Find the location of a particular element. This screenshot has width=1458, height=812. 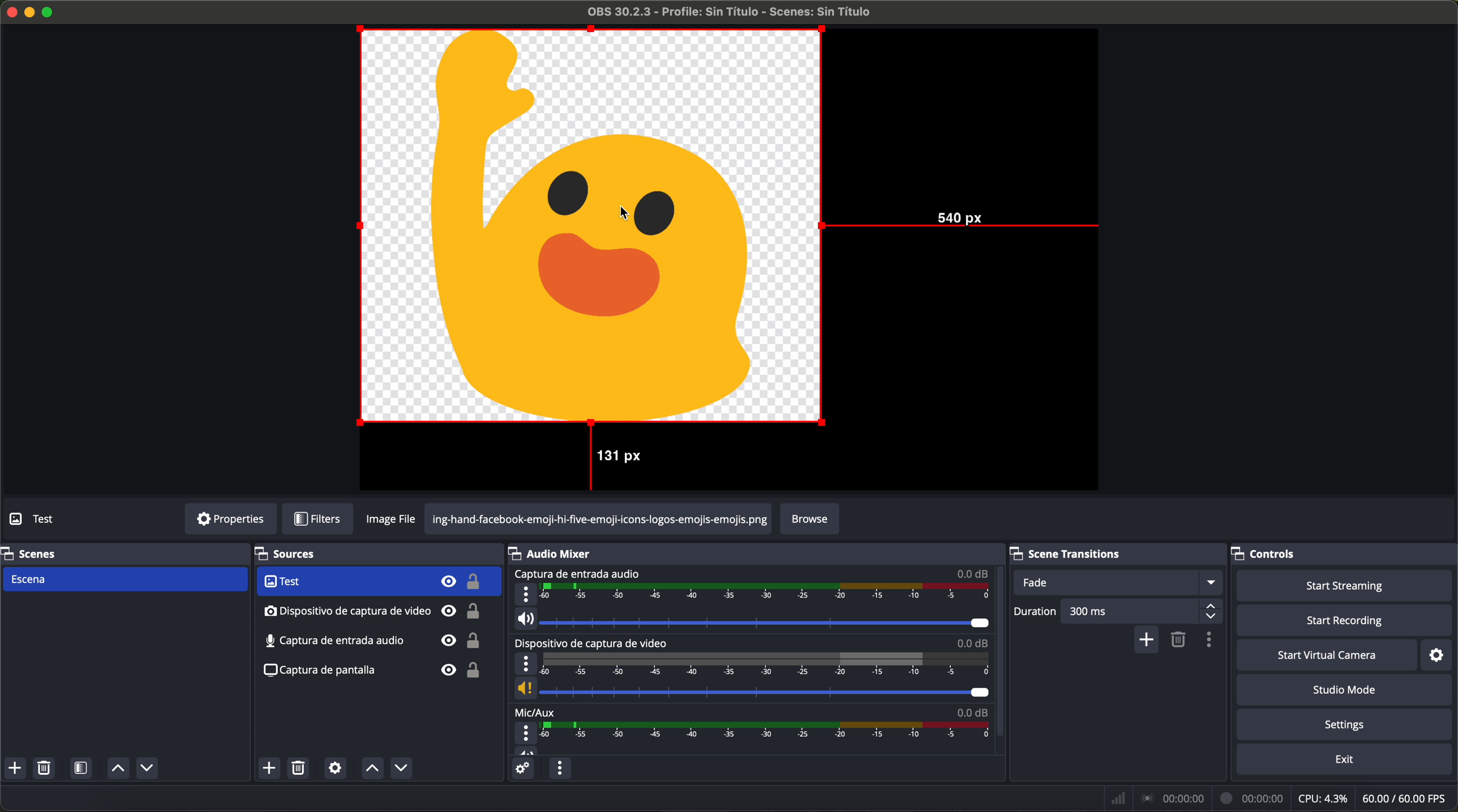

timeline is located at coordinates (766, 593).